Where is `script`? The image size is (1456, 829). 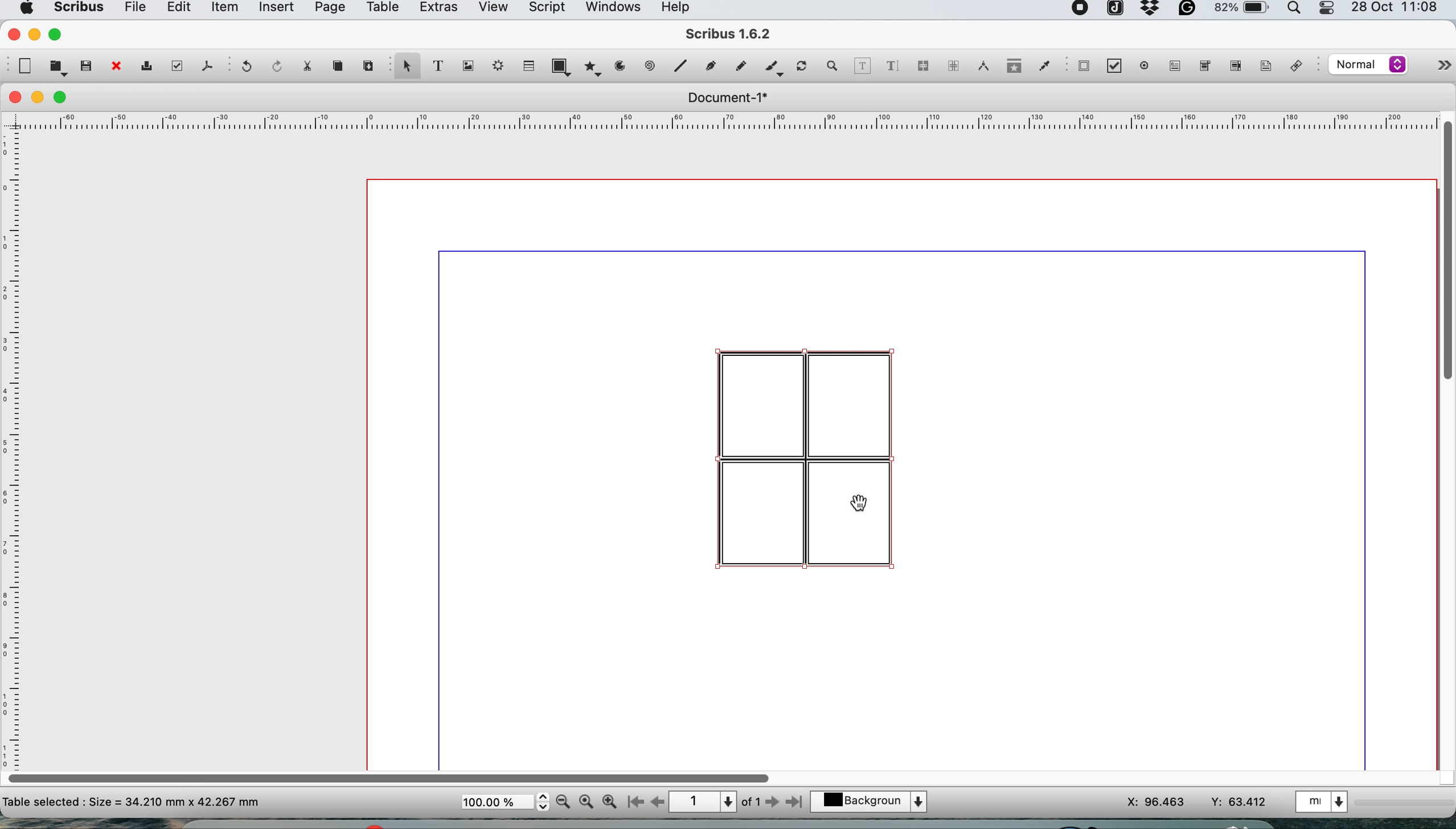
script is located at coordinates (545, 9).